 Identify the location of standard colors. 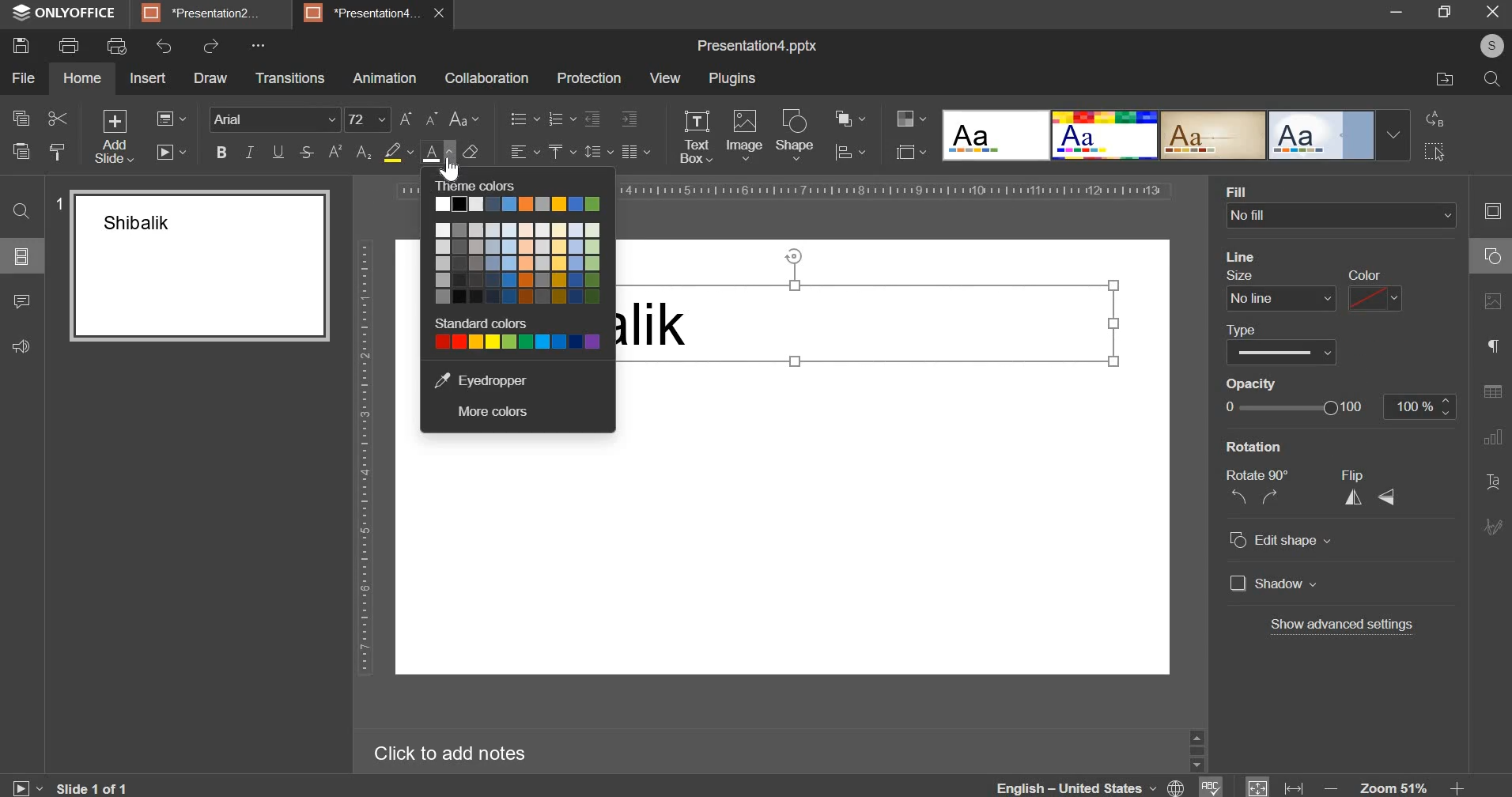
(485, 323).